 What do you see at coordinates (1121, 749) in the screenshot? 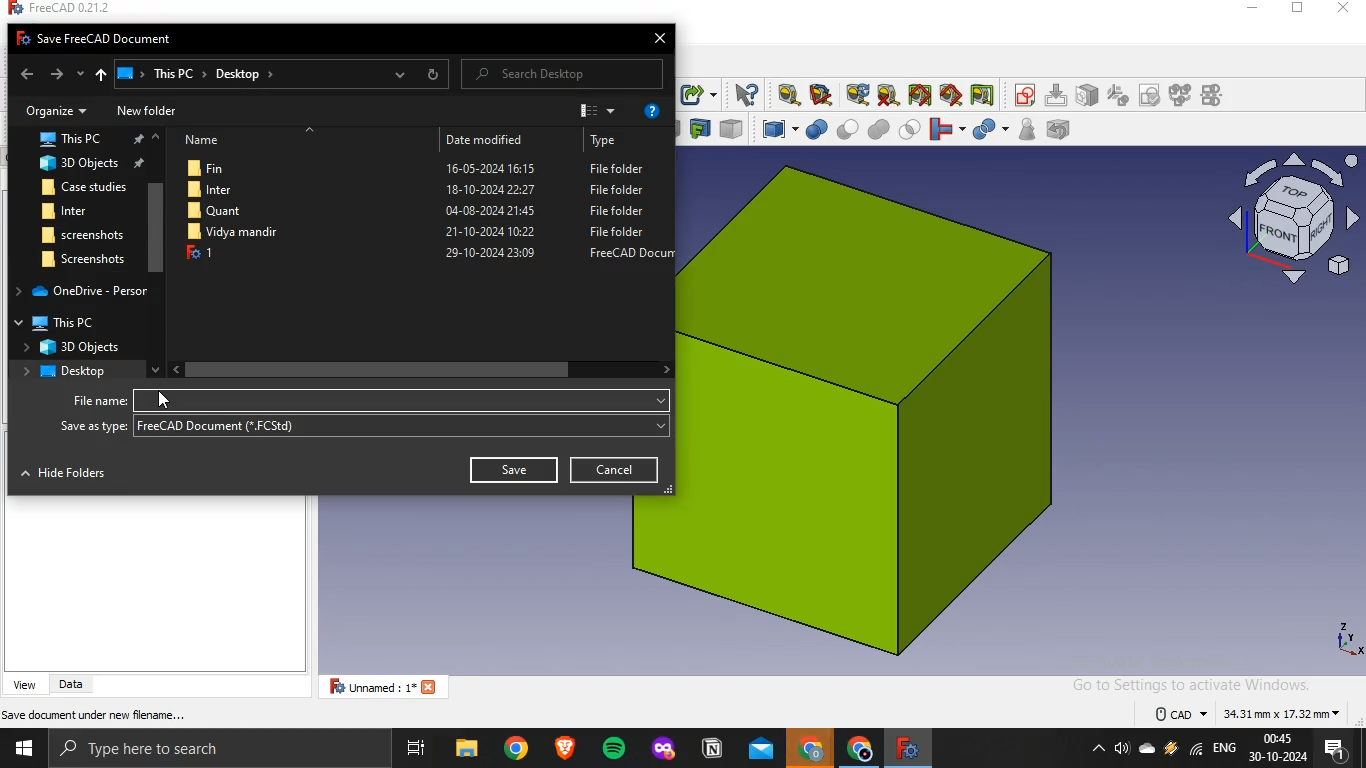
I see `volume` at bounding box center [1121, 749].